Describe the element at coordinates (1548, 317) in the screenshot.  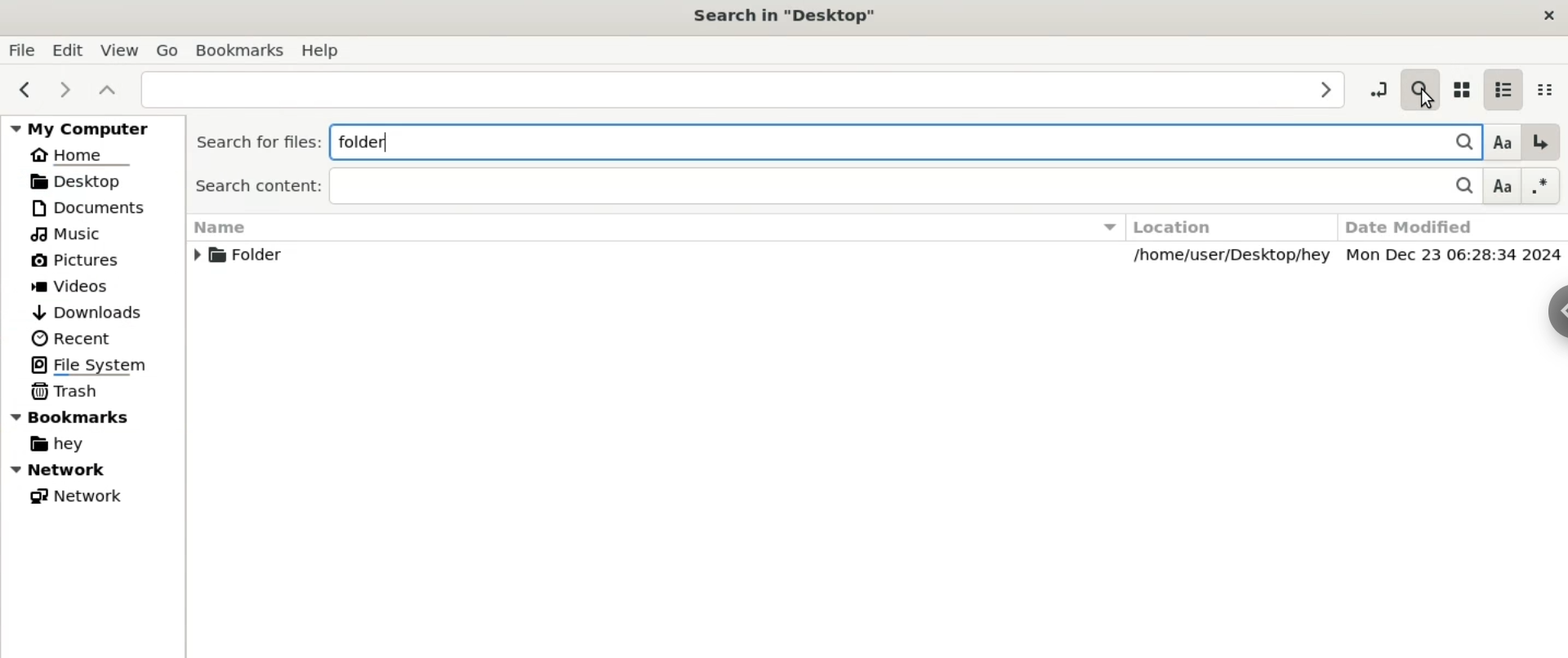
I see `Sidebar` at that location.